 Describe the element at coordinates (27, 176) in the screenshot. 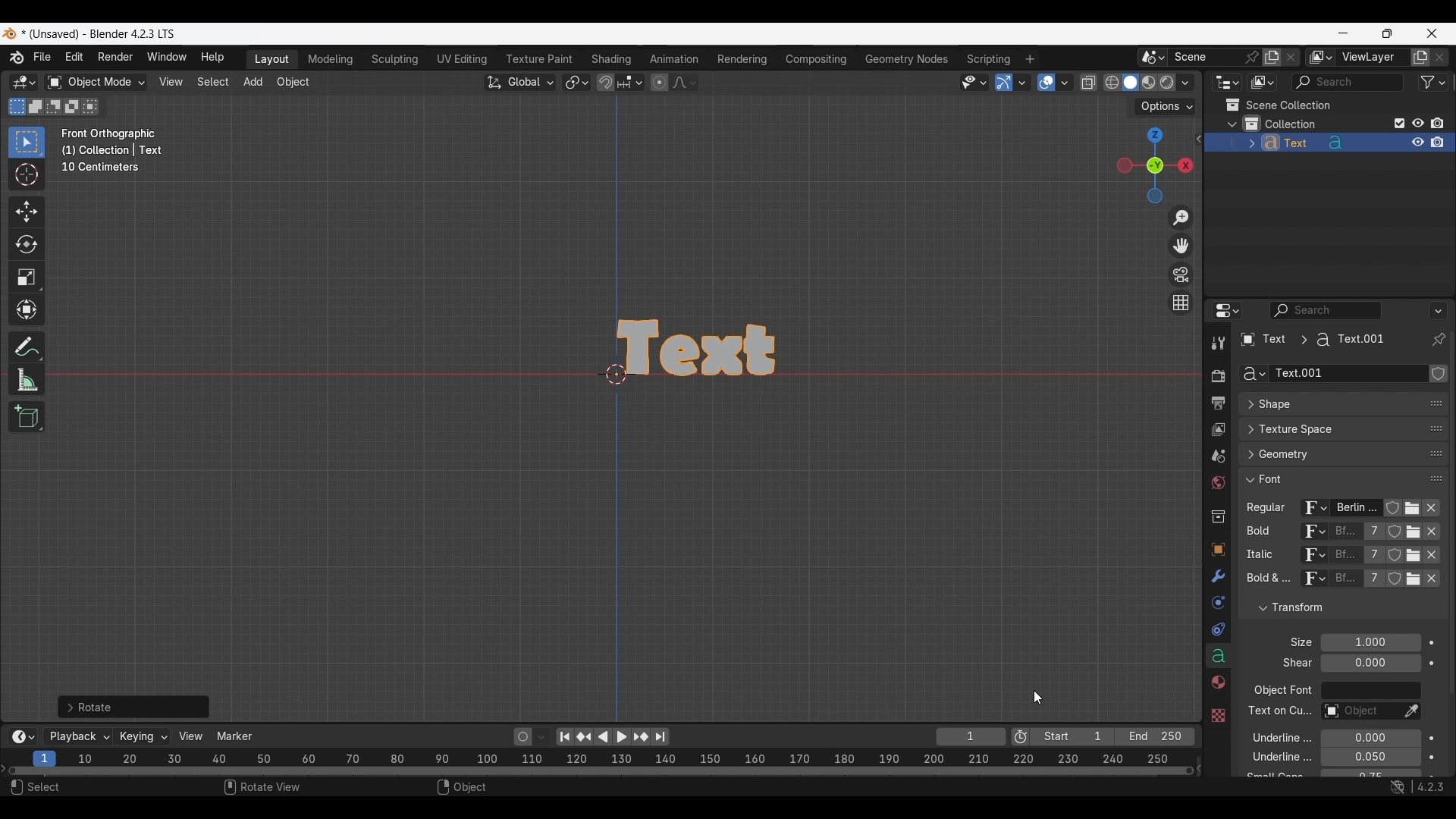

I see `Cursor` at that location.